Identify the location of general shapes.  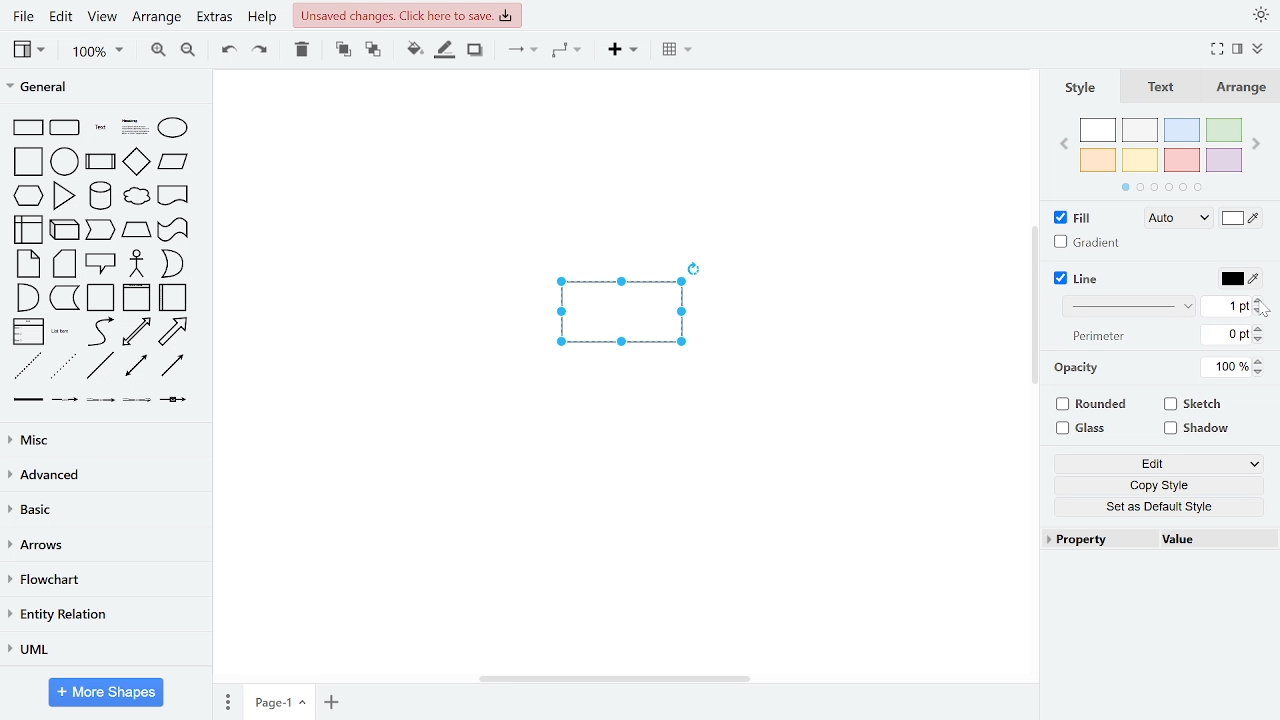
(173, 366).